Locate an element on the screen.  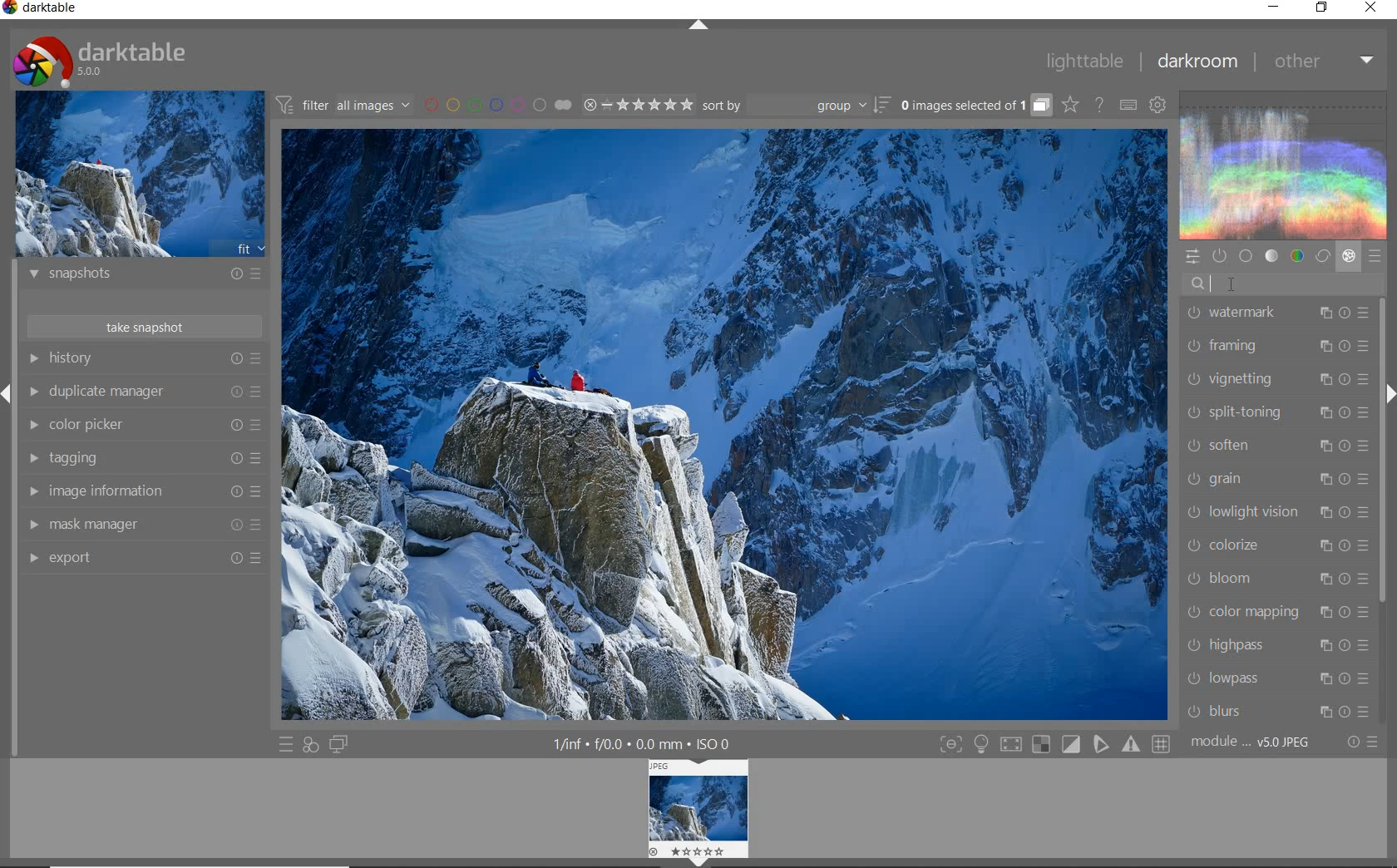
mask manager is located at coordinates (142, 525).